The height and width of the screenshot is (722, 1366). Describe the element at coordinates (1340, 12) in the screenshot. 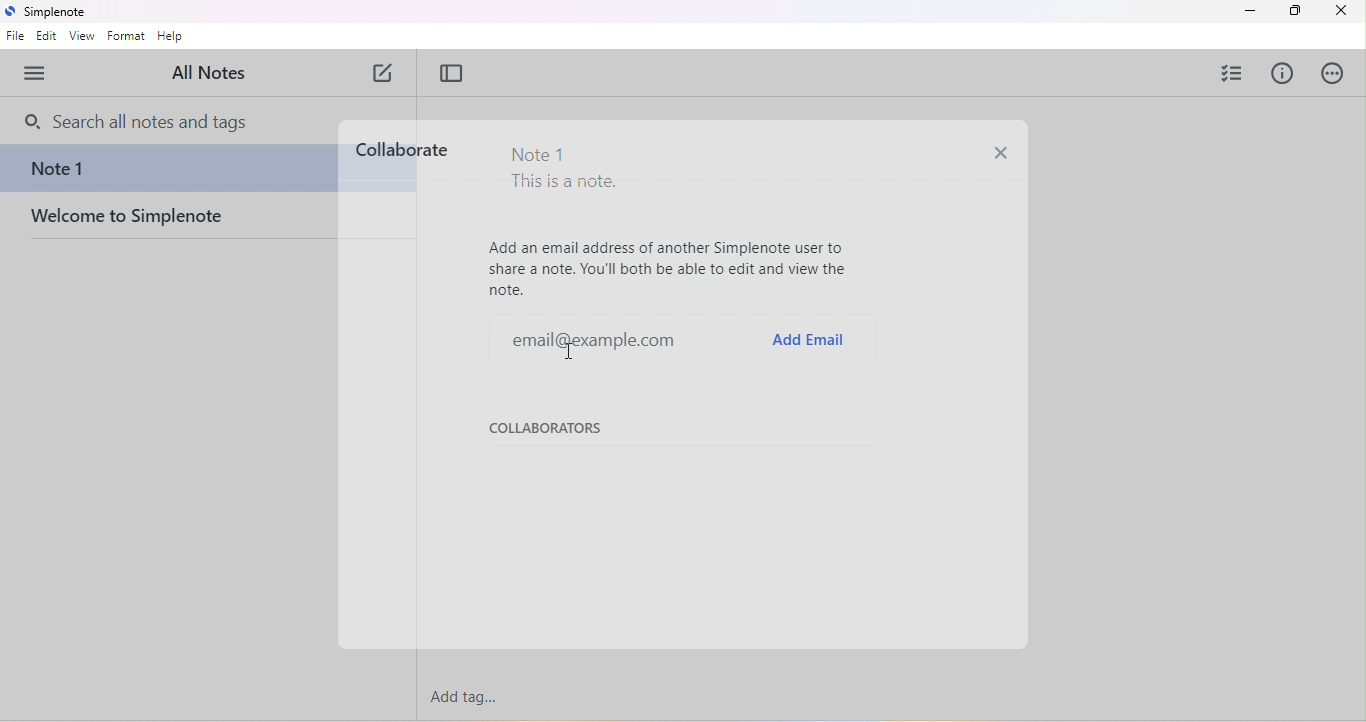

I see `close` at that location.